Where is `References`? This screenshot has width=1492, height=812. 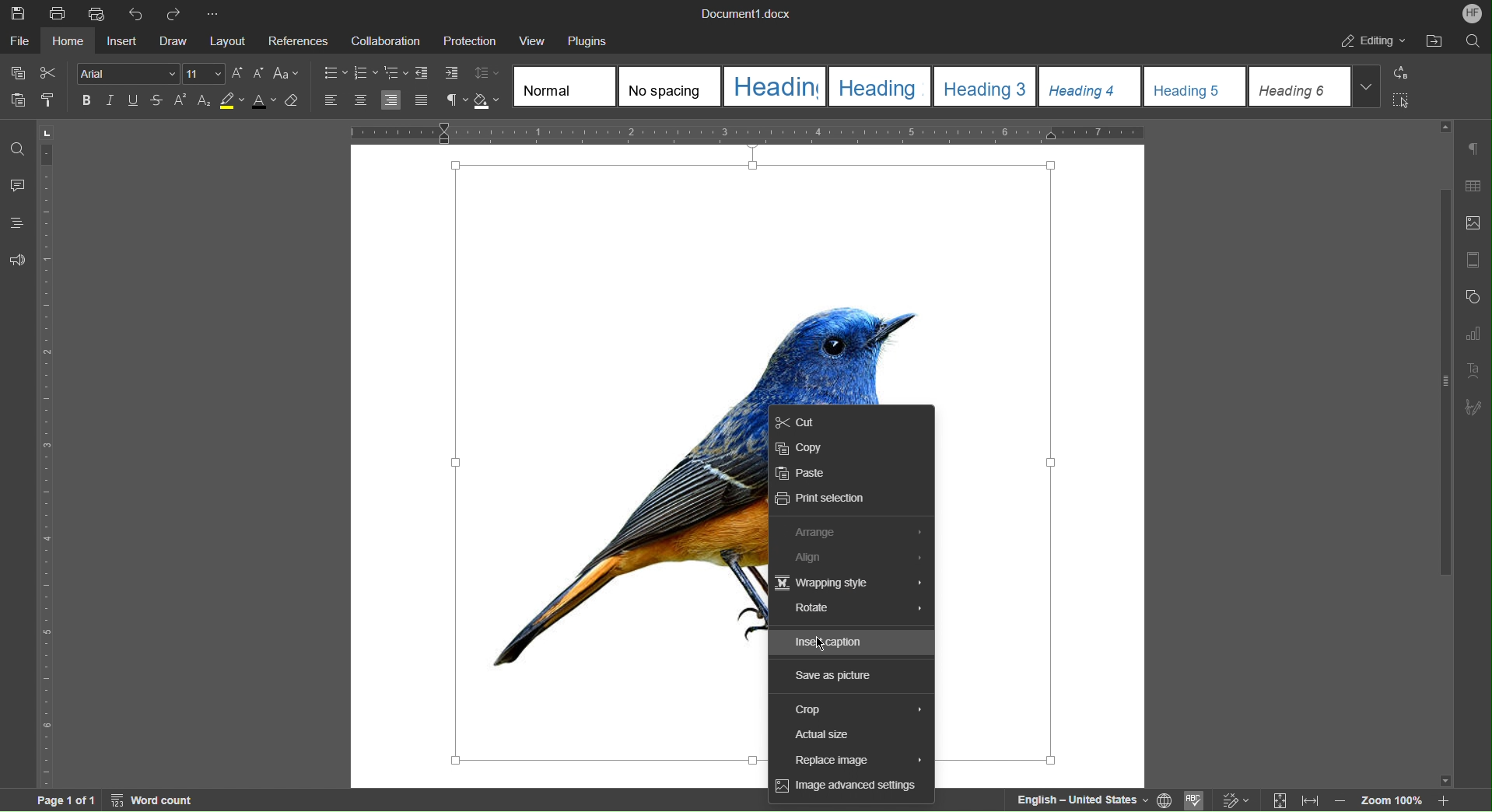
References is located at coordinates (296, 43).